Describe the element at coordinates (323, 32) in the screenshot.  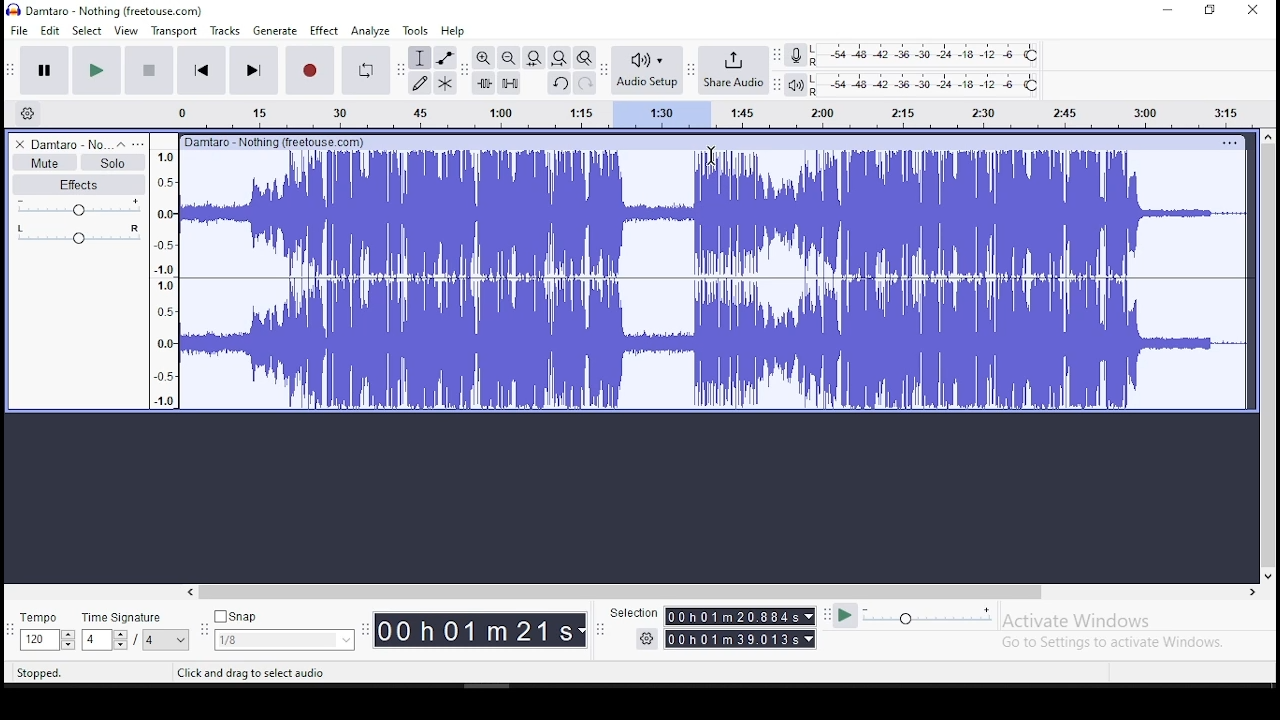
I see `effect` at that location.